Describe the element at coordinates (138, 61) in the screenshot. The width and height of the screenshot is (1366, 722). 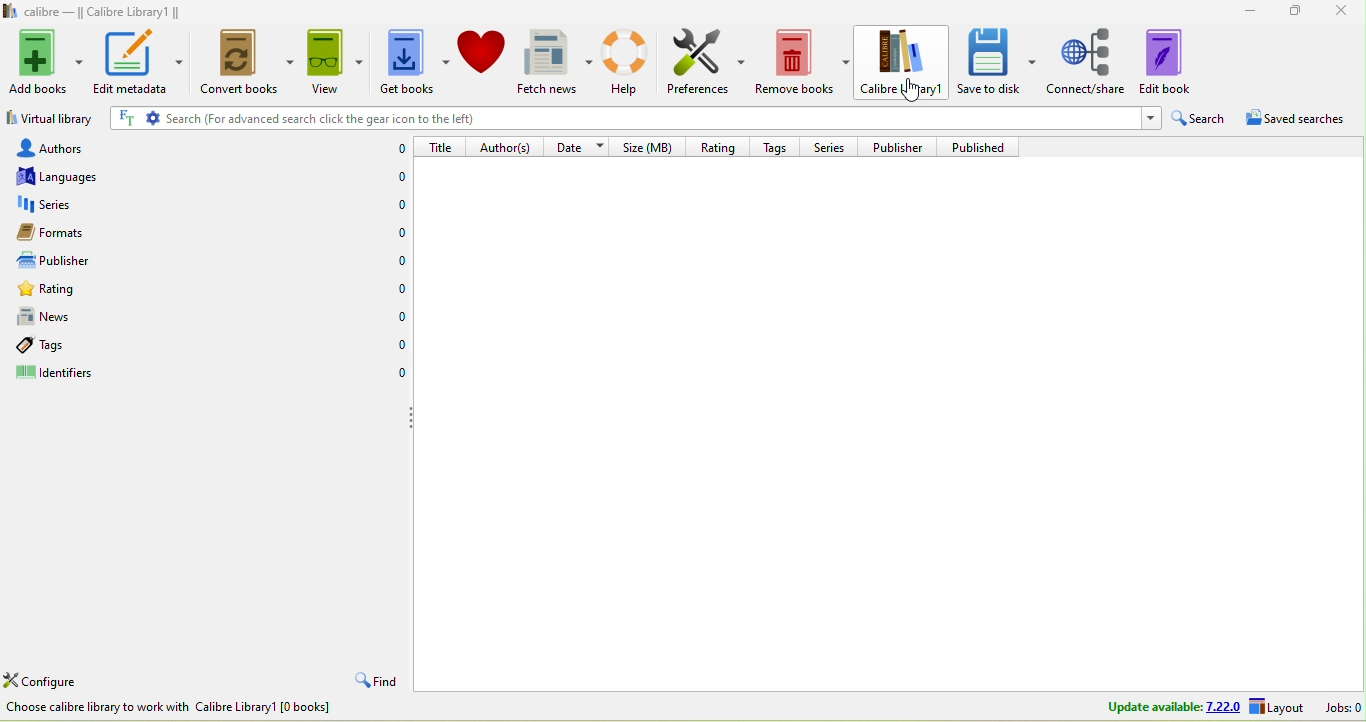
I see `edit metadata` at that location.